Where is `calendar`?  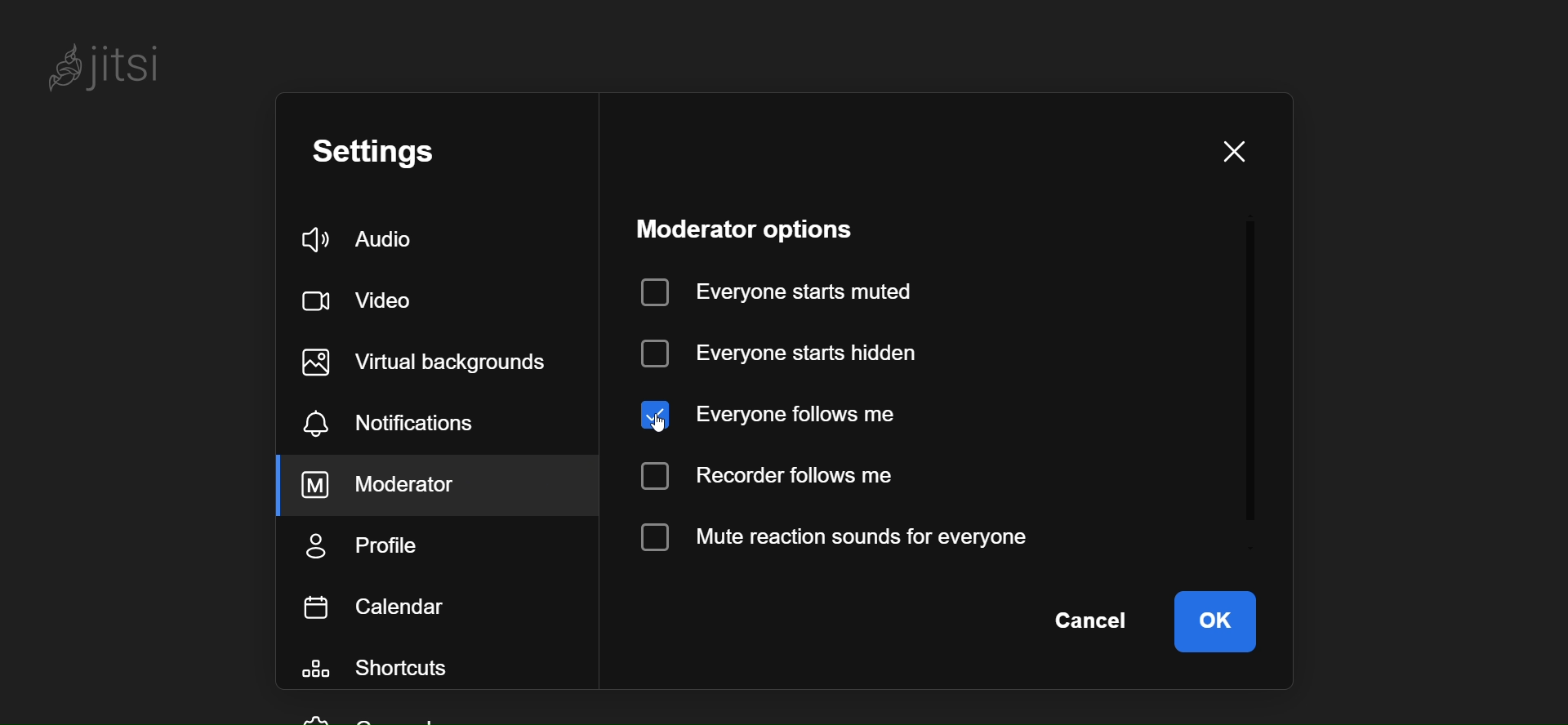 calendar is located at coordinates (380, 607).